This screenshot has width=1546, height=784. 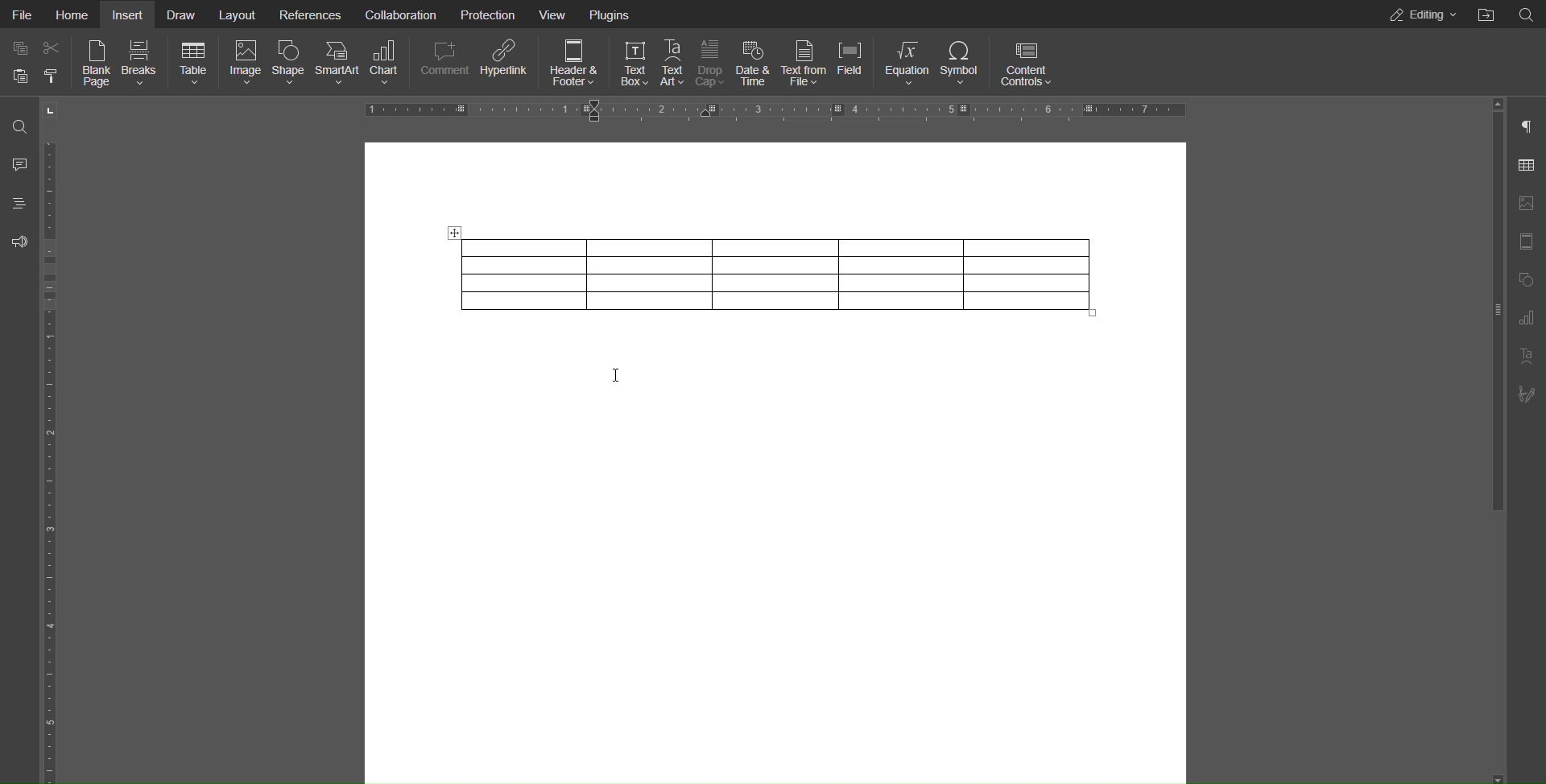 What do you see at coordinates (1486, 14) in the screenshot?
I see `Open File Location` at bounding box center [1486, 14].